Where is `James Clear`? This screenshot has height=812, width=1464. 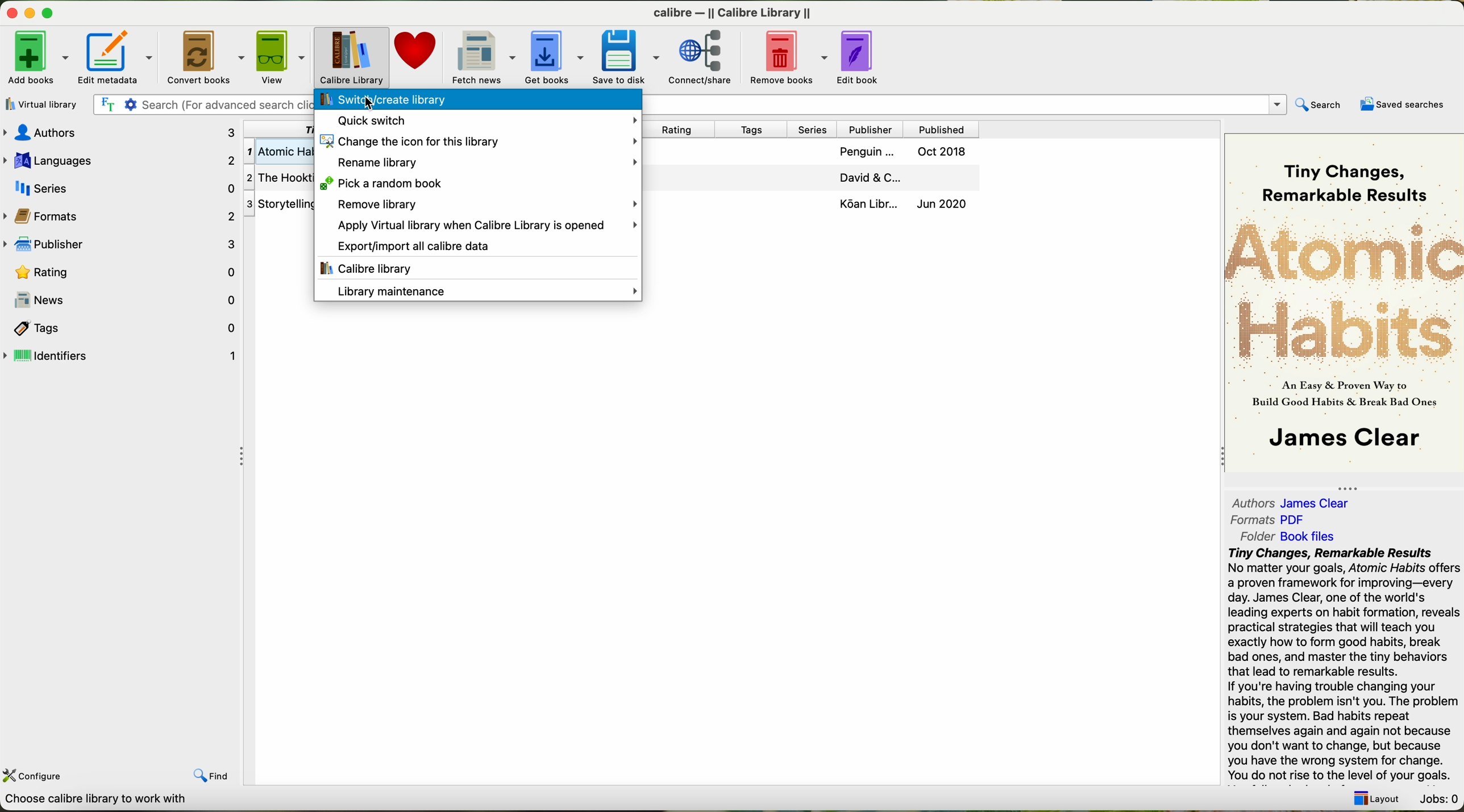 James Clear is located at coordinates (1341, 440).